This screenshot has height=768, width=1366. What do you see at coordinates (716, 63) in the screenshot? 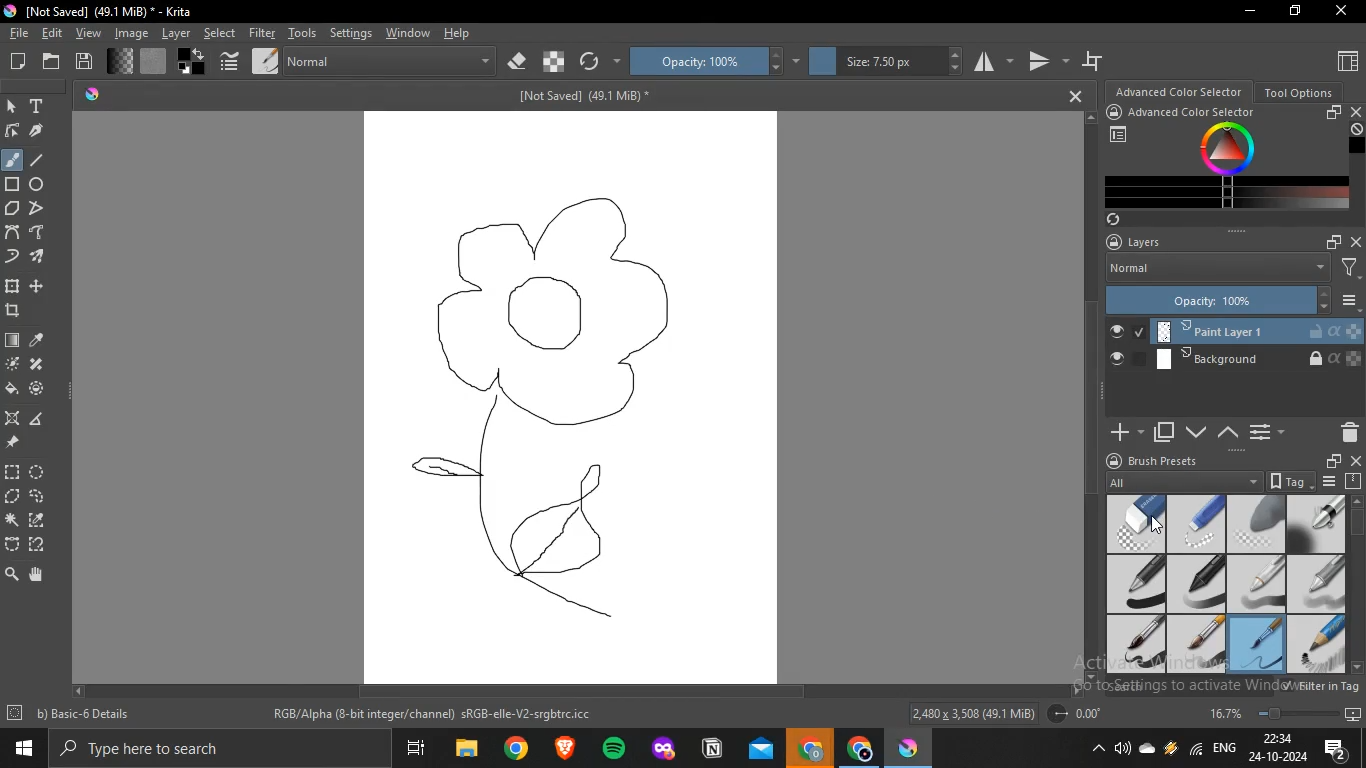
I see `opacity` at bounding box center [716, 63].